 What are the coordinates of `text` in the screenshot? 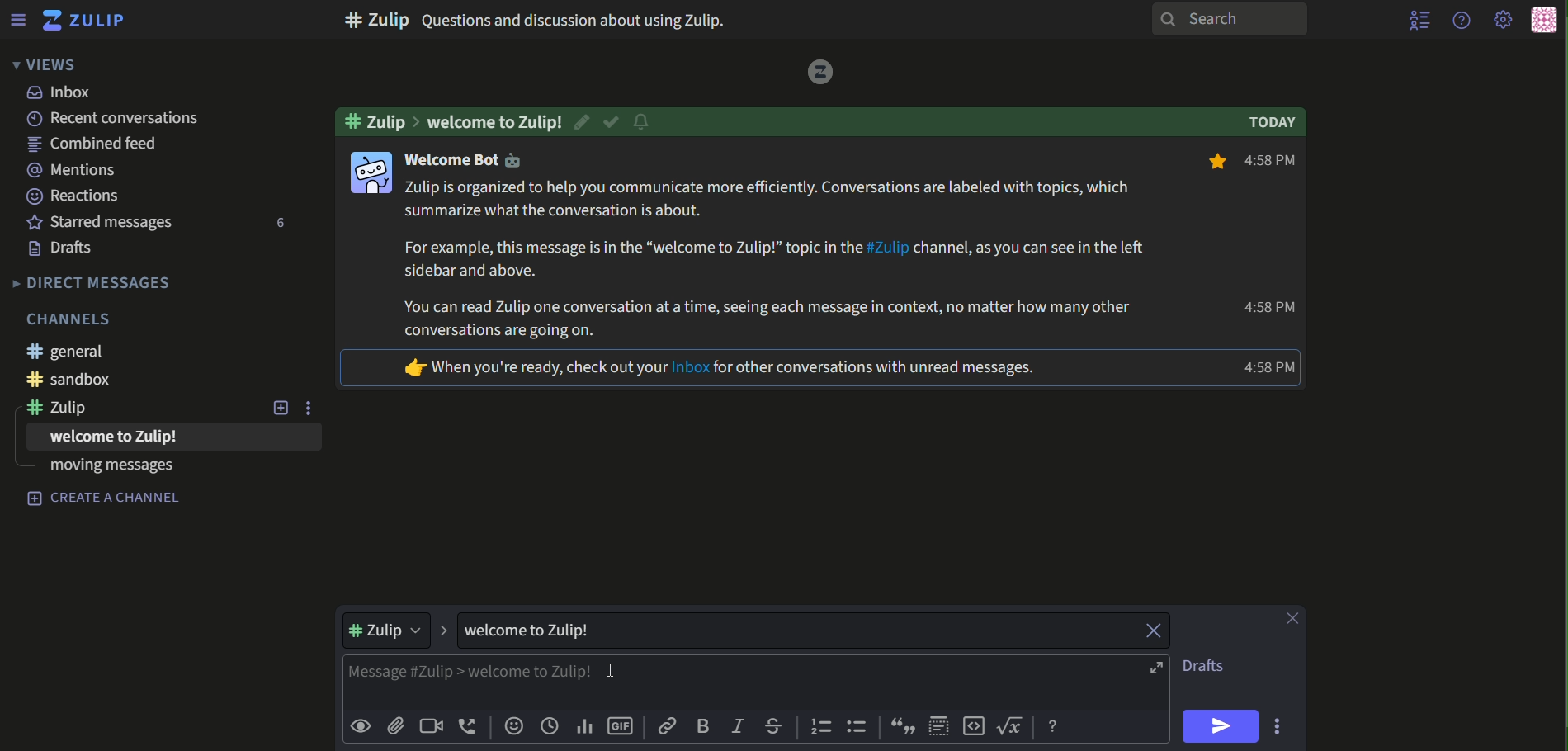 It's located at (98, 380).